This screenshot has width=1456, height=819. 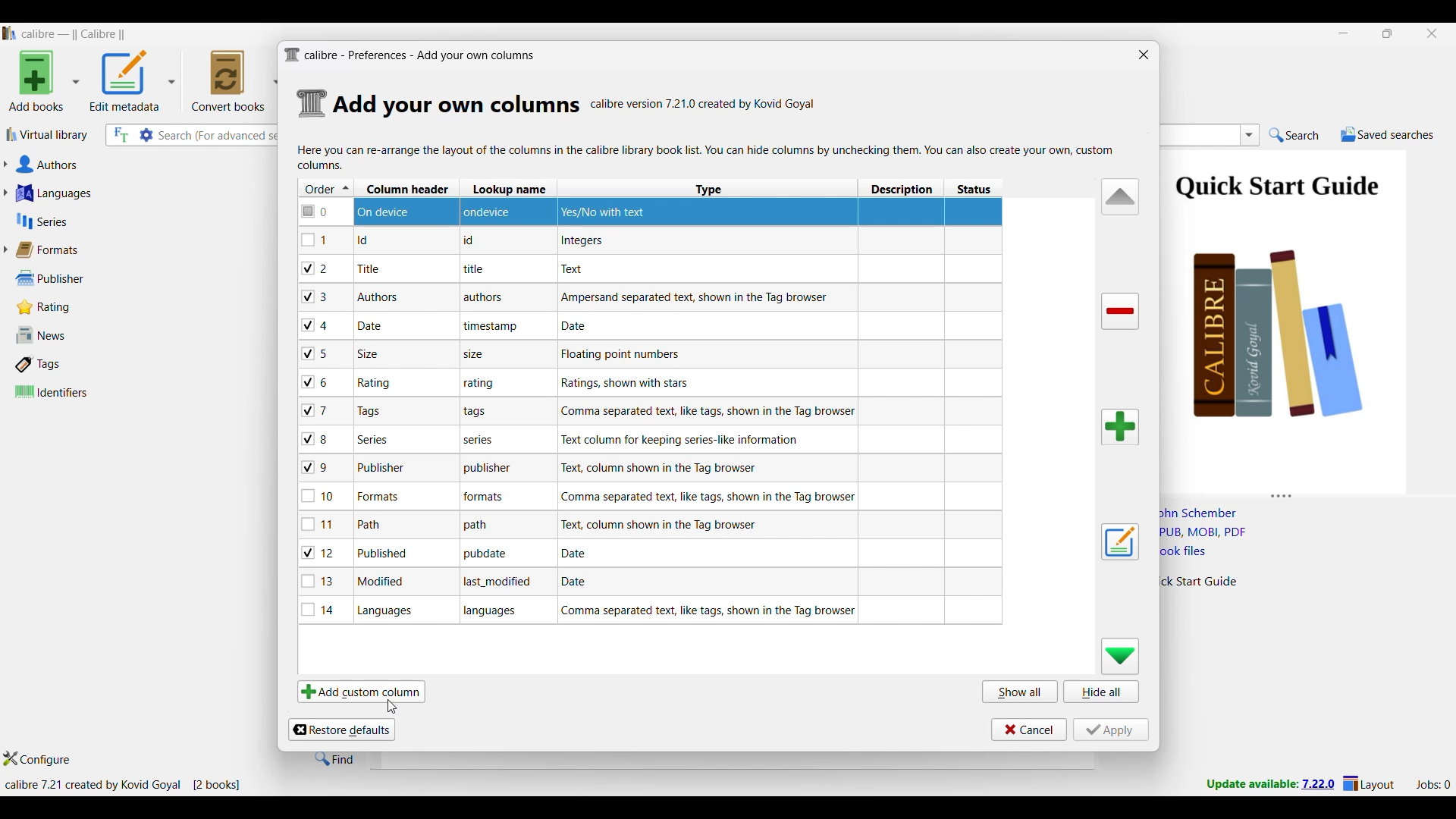 What do you see at coordinates (385, 554) in the screenshot?
I see `Note` at bounding box center [385, 554].